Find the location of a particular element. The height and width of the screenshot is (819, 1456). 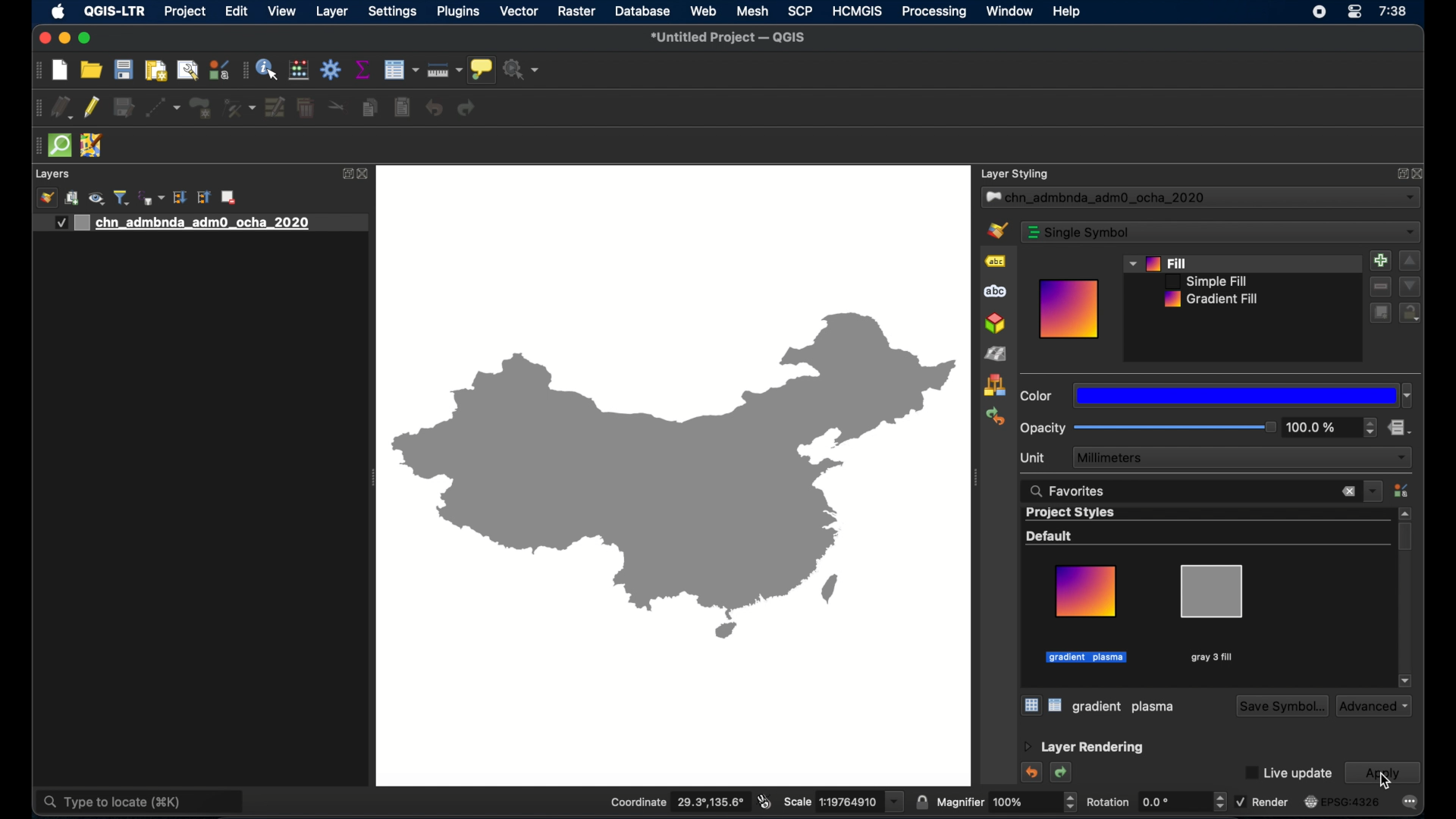

drag handle is located at coordinates (974, 478).